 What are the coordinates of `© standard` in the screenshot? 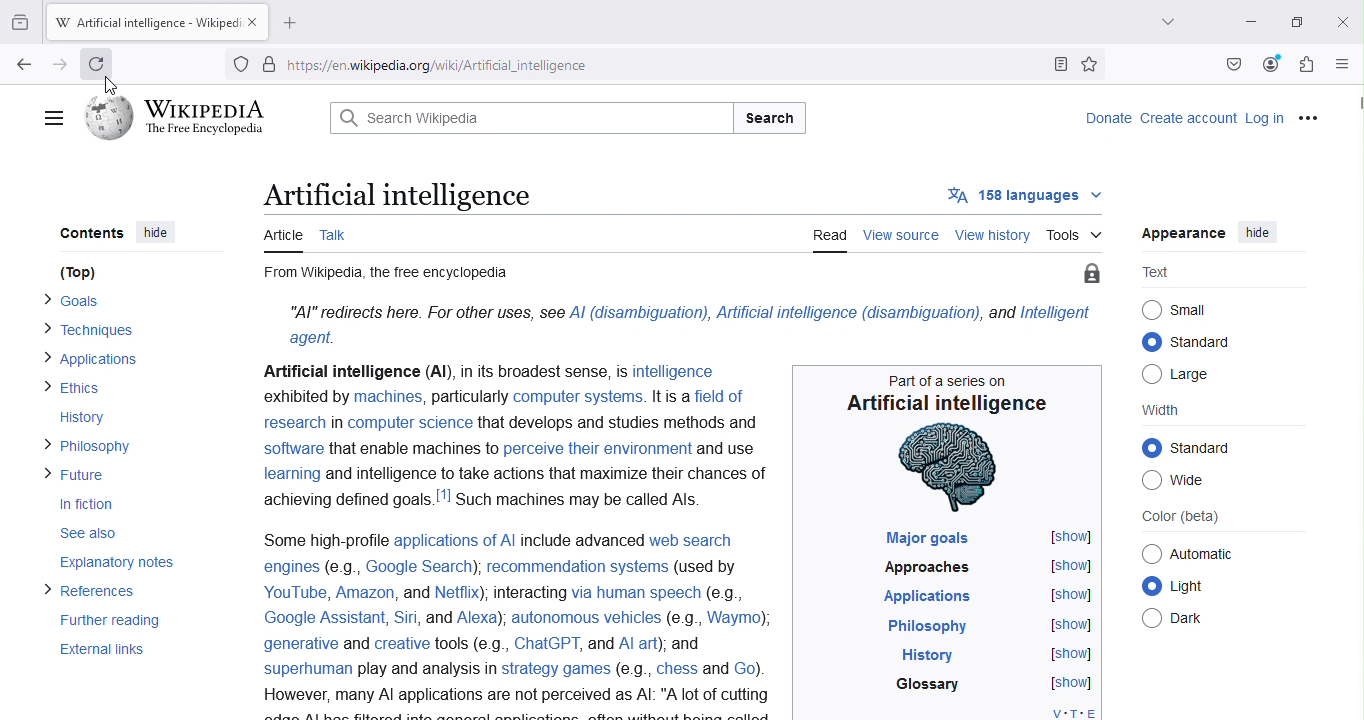 It's located at (1191, 451).